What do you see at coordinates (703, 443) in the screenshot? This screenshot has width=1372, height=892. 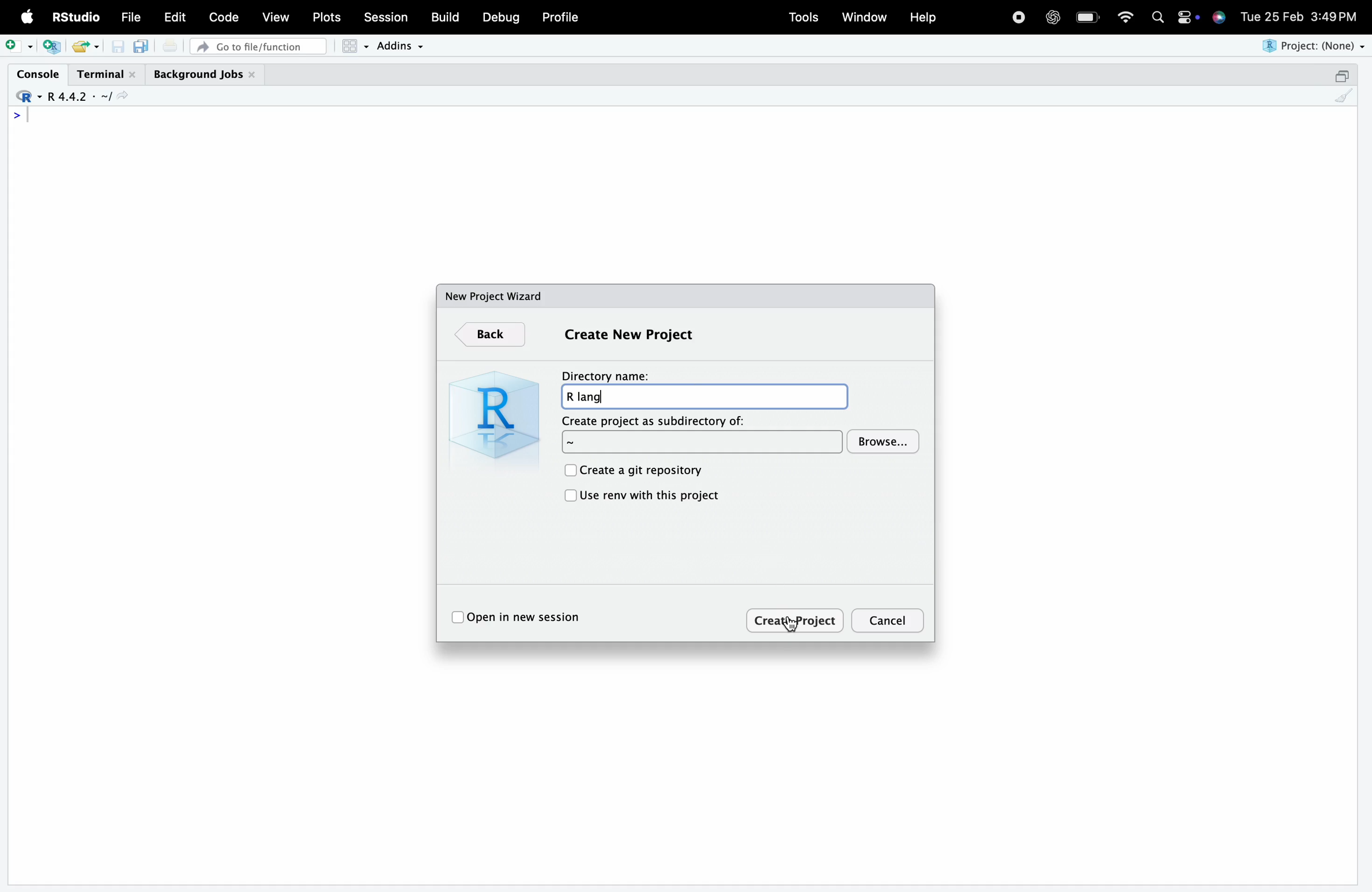 I see `Create project as subdirectory of:` at bounding box center [703, 443].